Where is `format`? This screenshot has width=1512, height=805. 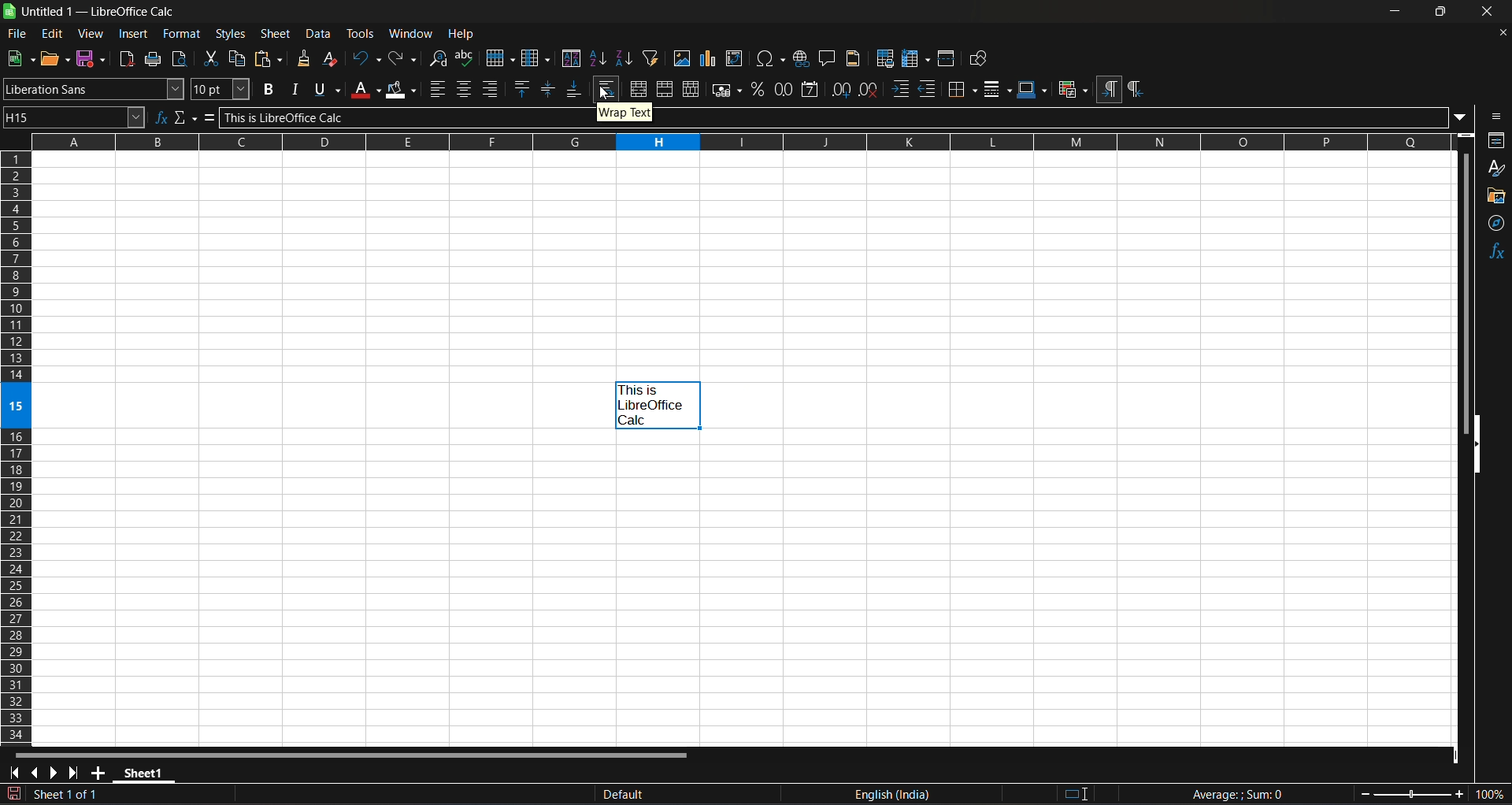
format is located at coordinates (183, 33).